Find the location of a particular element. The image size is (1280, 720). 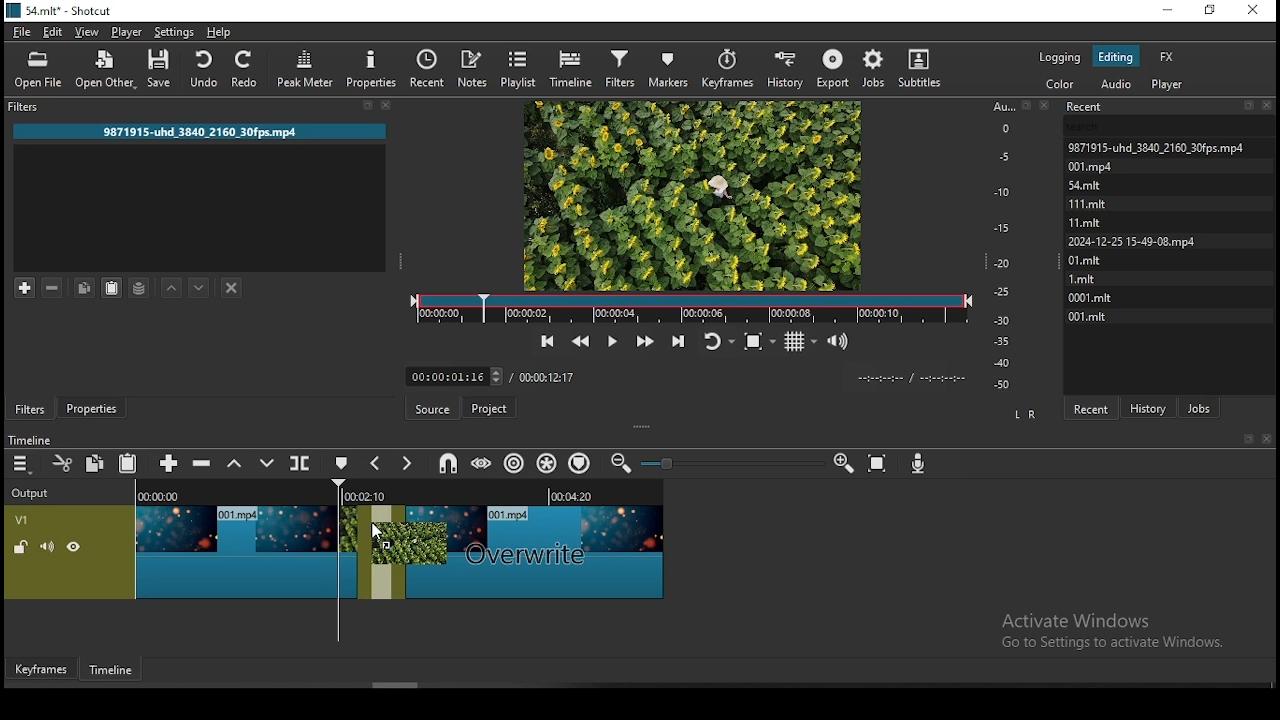

remove selected filters is located at coordinates (51, 288).